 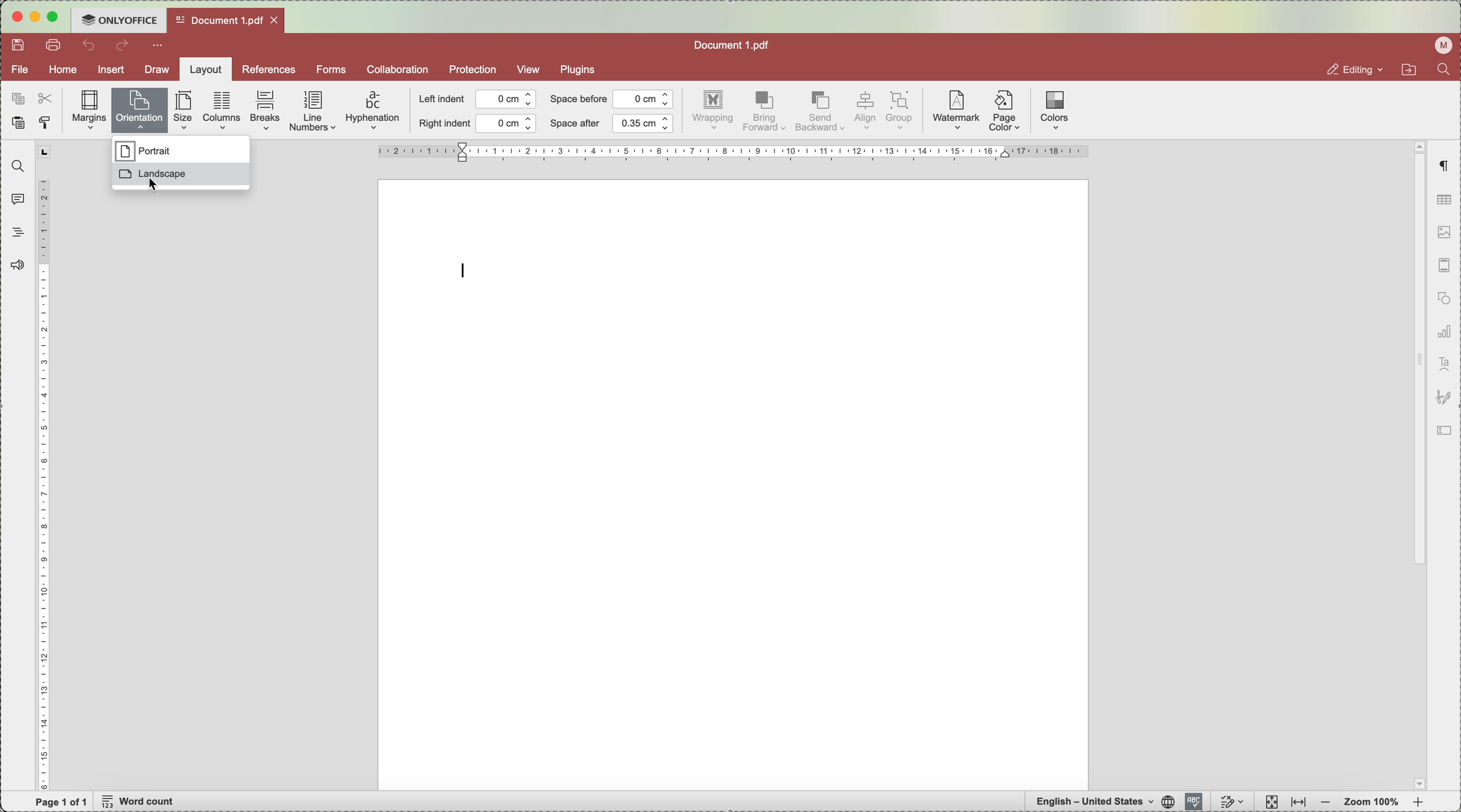 What do you see at coordinates (902, 111) in the screenshot?
I see `group` at bounding box center [902, 111].